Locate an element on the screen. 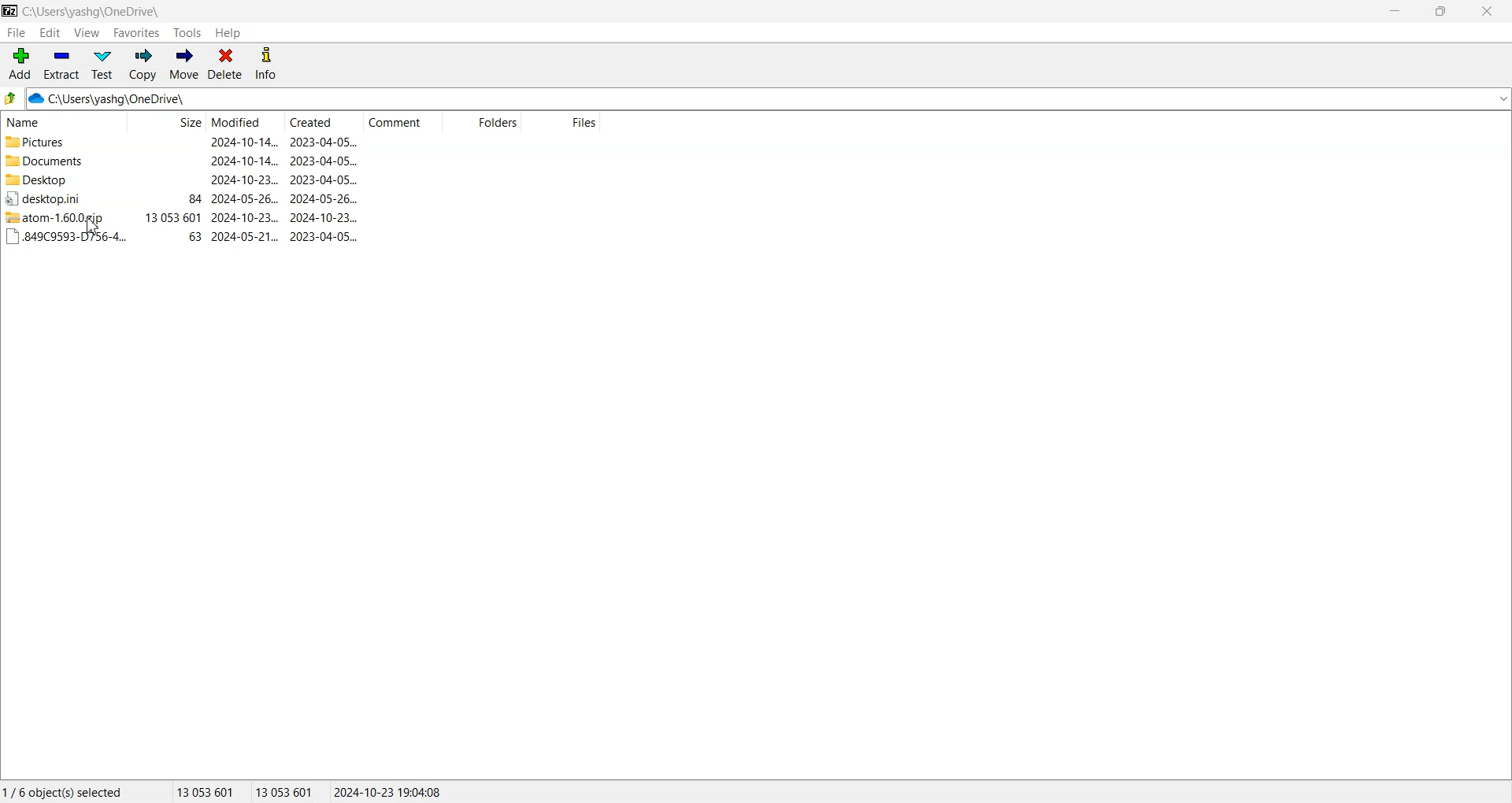 This screenshot has height=803, width=1512. 2023-04-05 is located at coordinates (324, 179).